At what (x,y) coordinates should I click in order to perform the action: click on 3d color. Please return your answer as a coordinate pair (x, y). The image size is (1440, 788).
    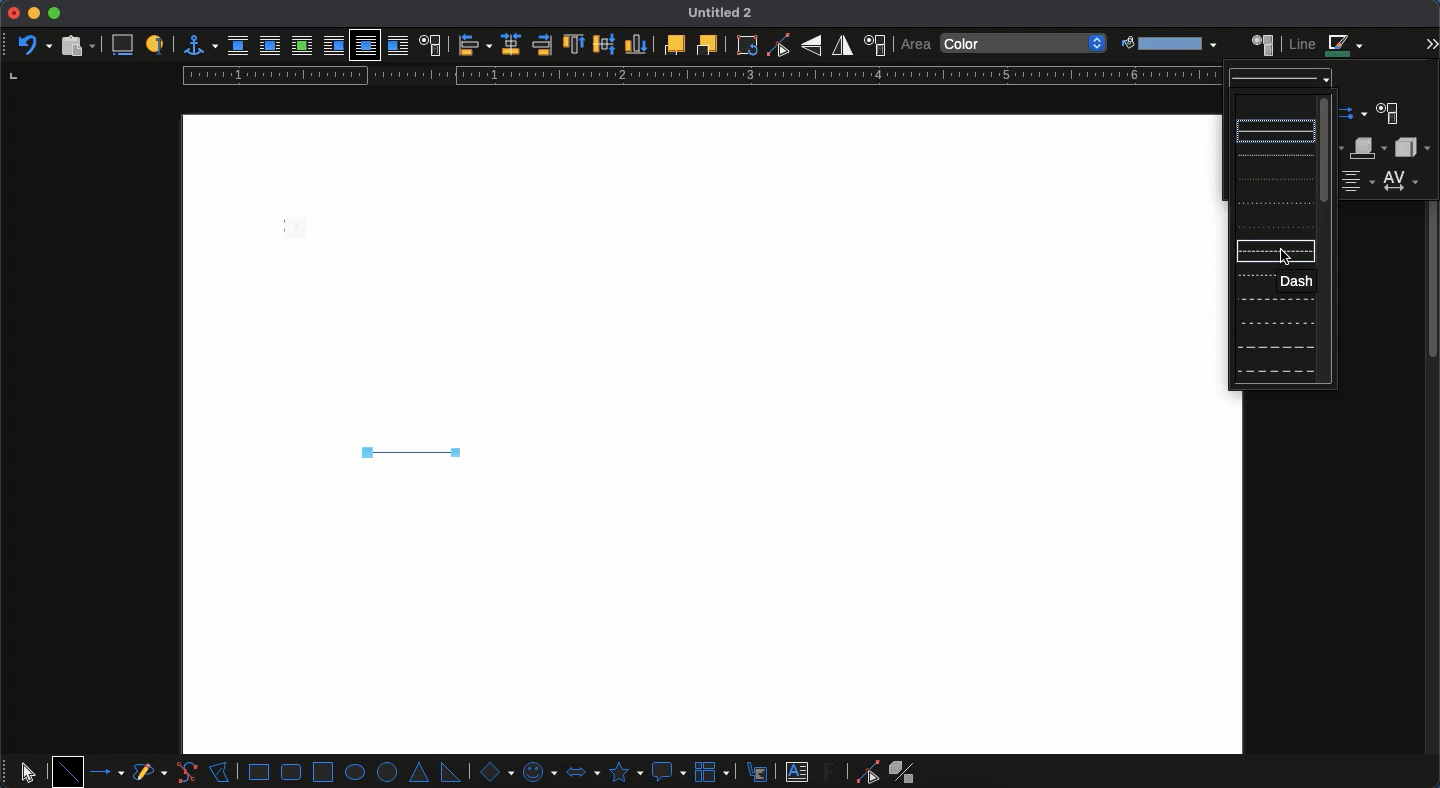
    Looking at the image, I should click on (1370, 148).